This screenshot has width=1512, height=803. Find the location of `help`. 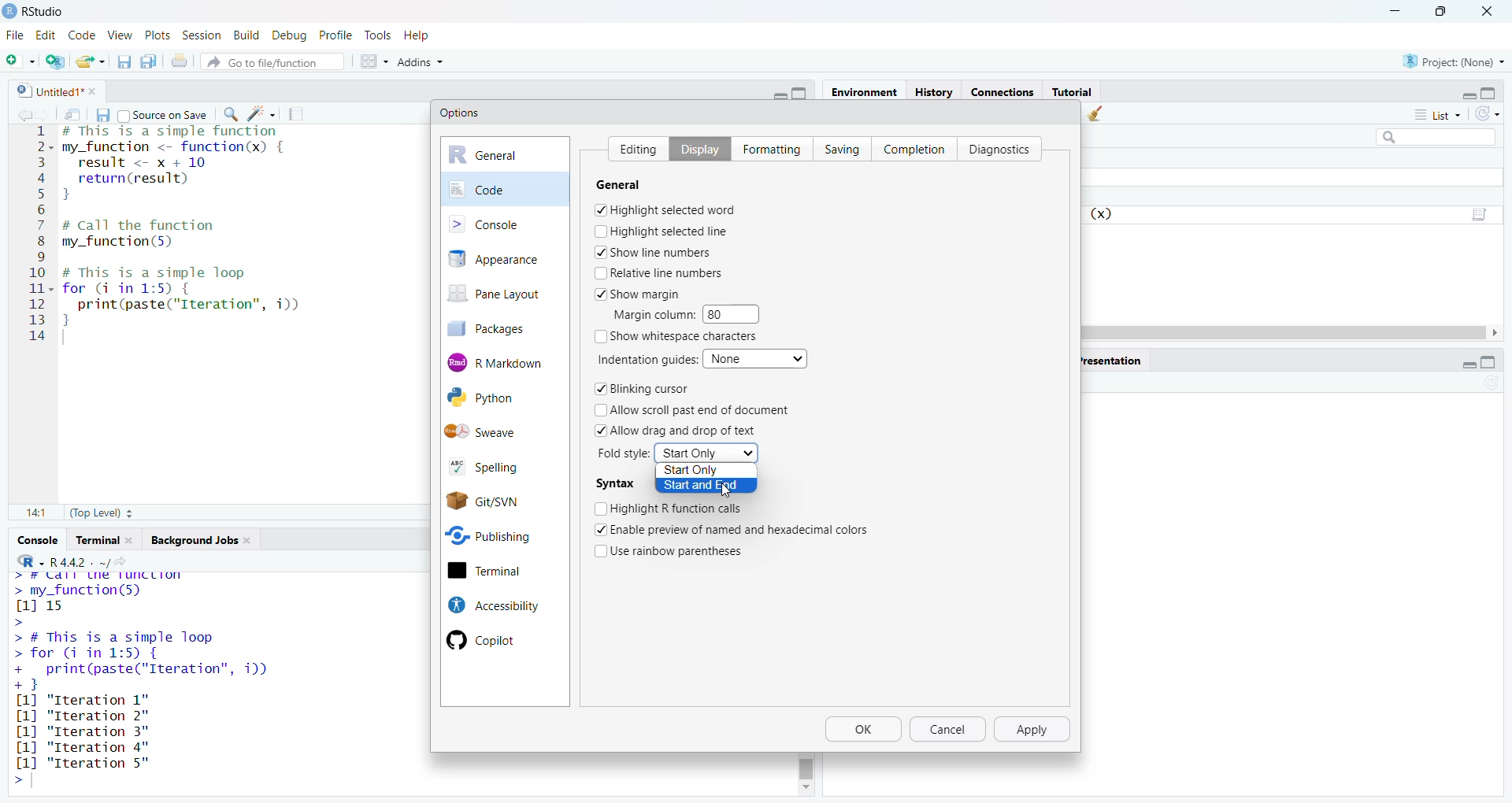

help is located at coordinates (422, 34).